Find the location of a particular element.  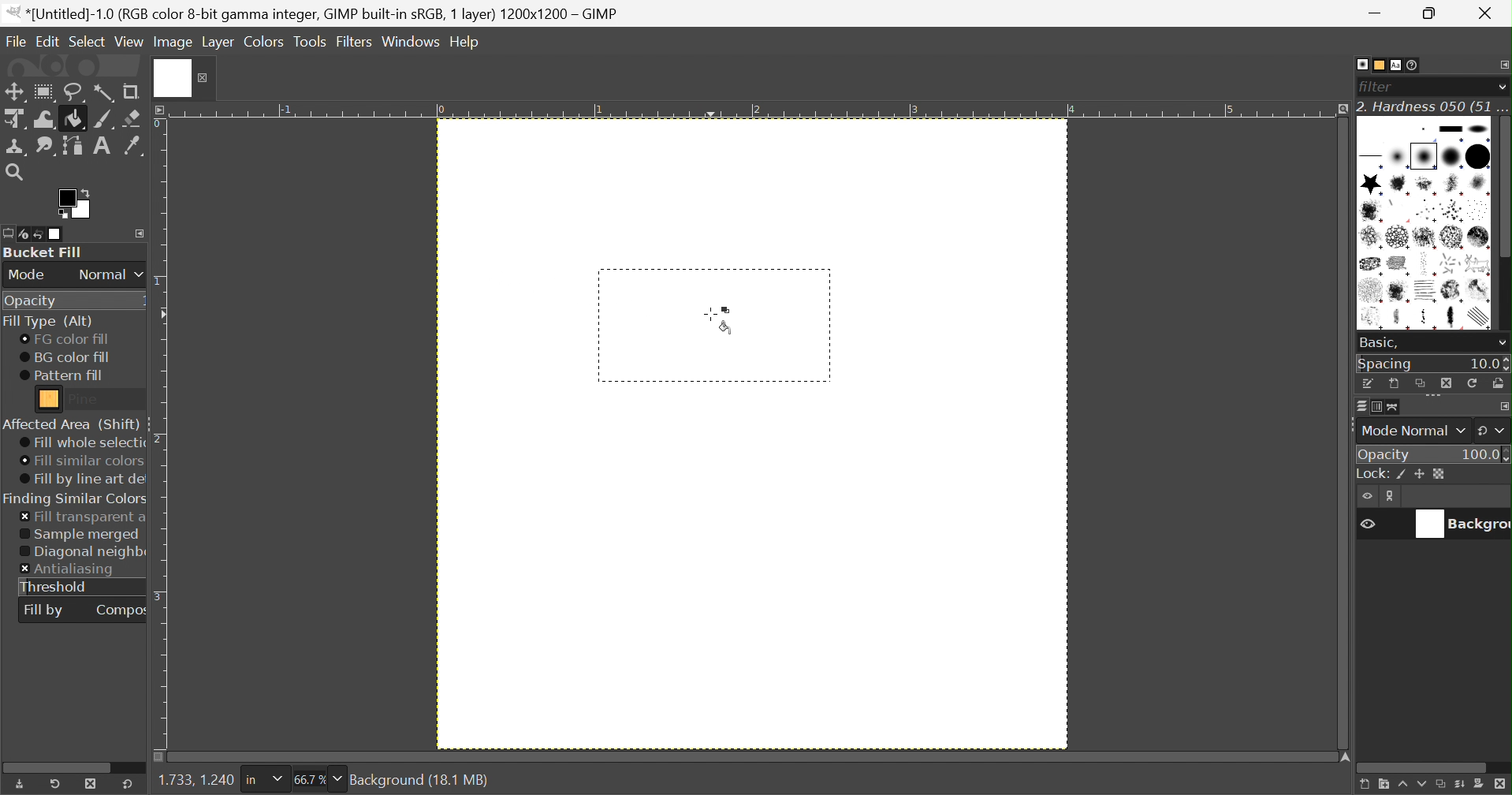

Antialiasing is located at coordinates (69, 570).